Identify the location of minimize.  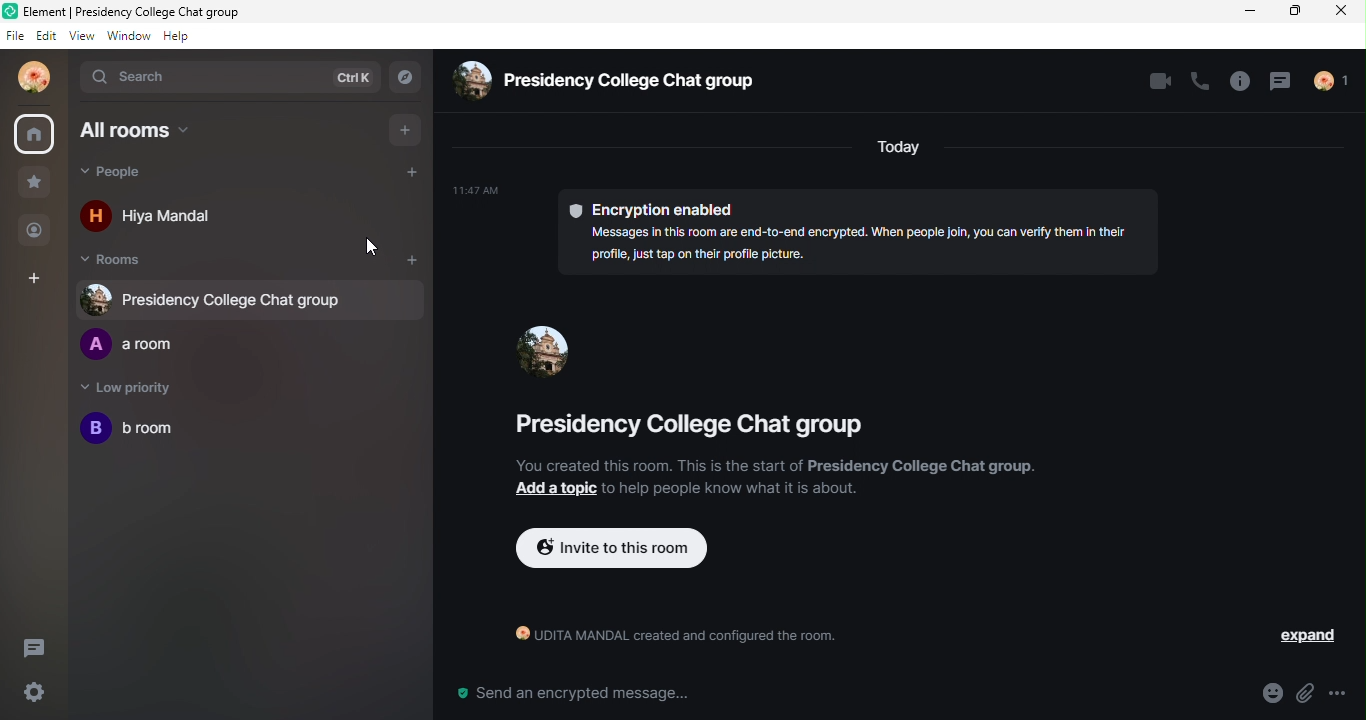
(1252, 13).